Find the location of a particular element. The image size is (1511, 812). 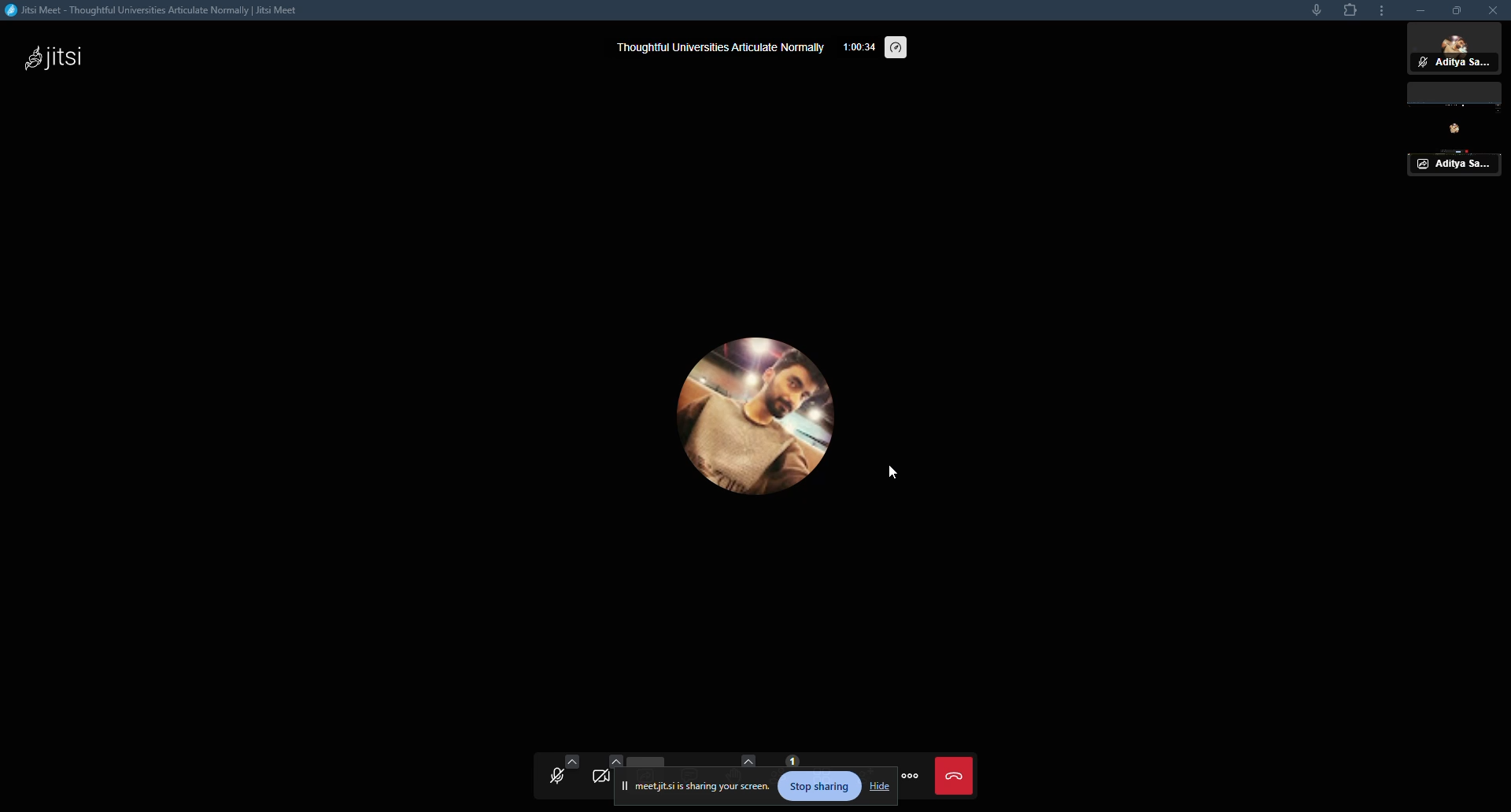

cursor is located at coordinates (890, 475).